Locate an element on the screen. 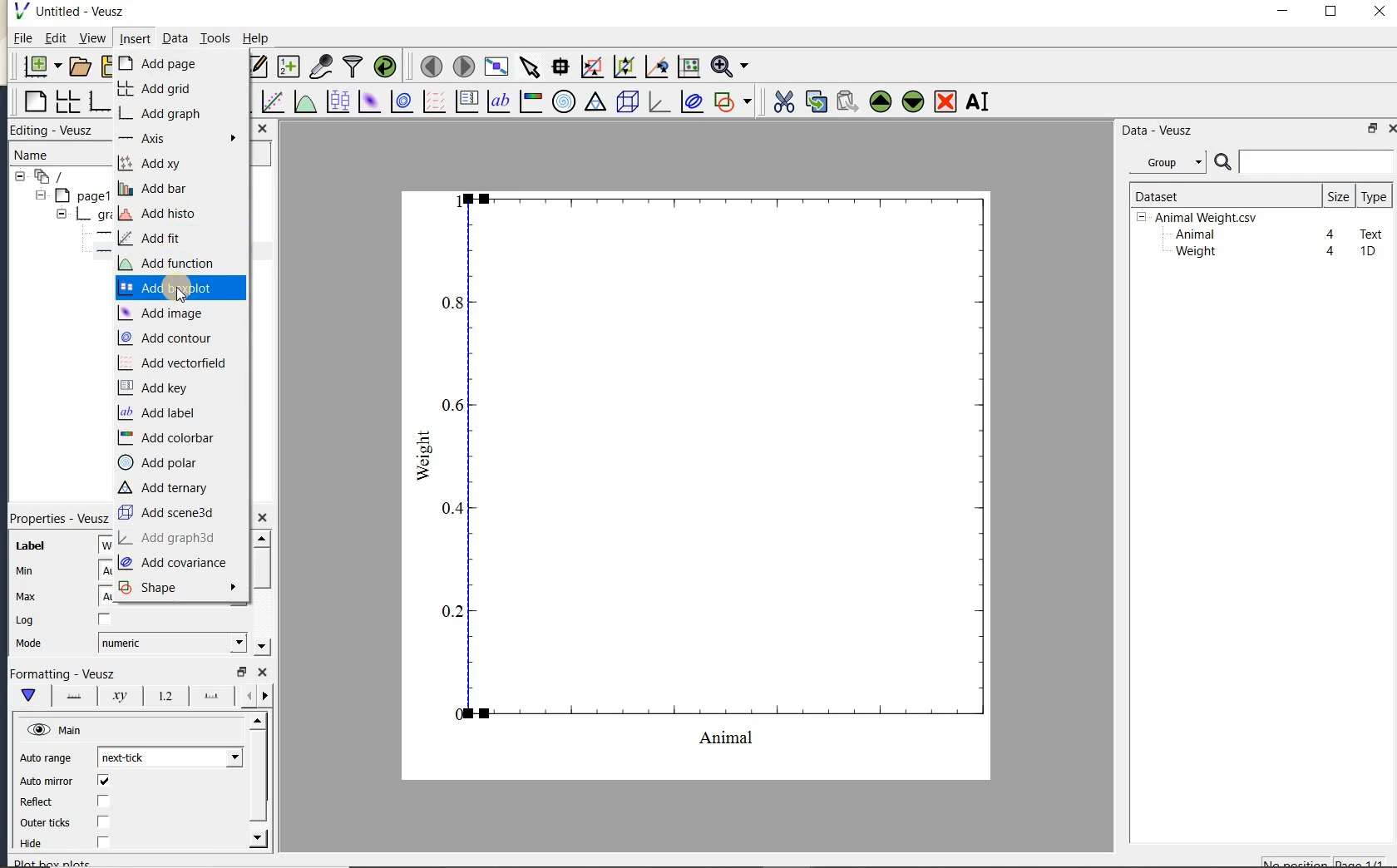 The image size is (1397, 868). check/uncheck is located at coordinates (104, 821).